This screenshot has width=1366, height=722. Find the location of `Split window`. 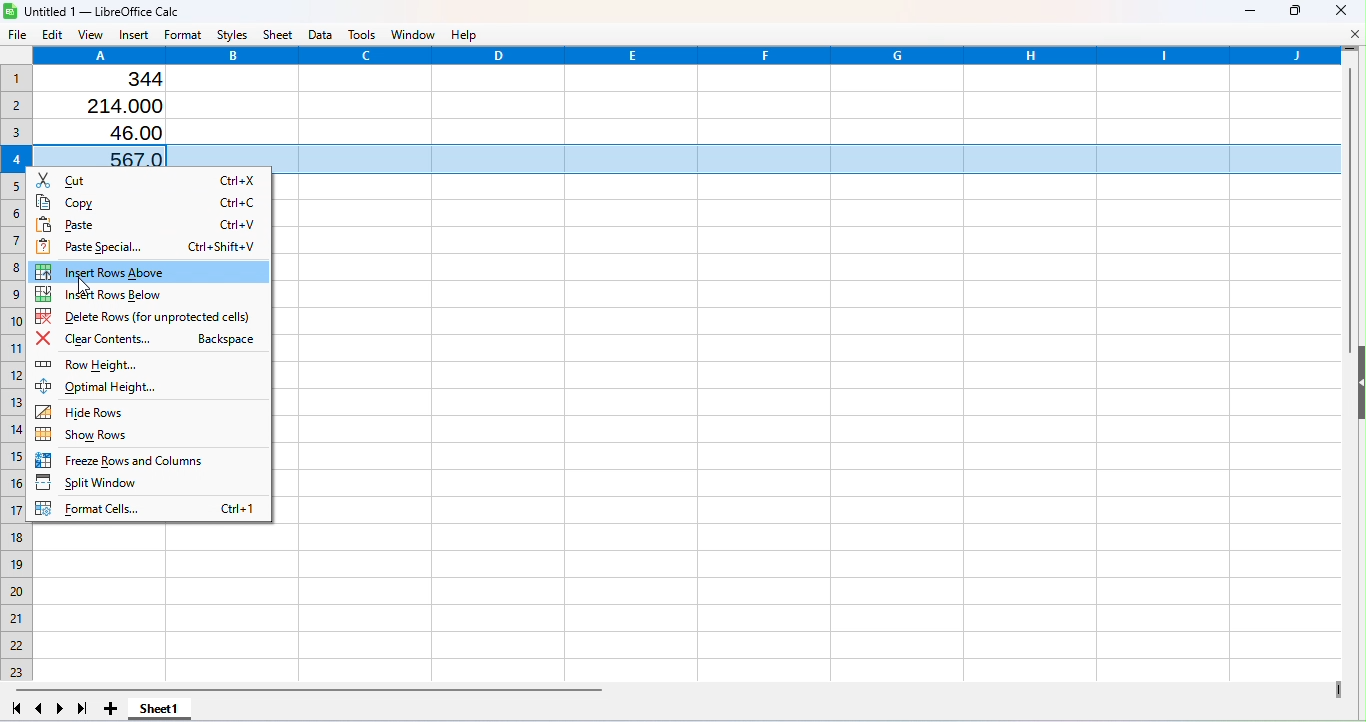

Split window is located at coordinates (99, 483).